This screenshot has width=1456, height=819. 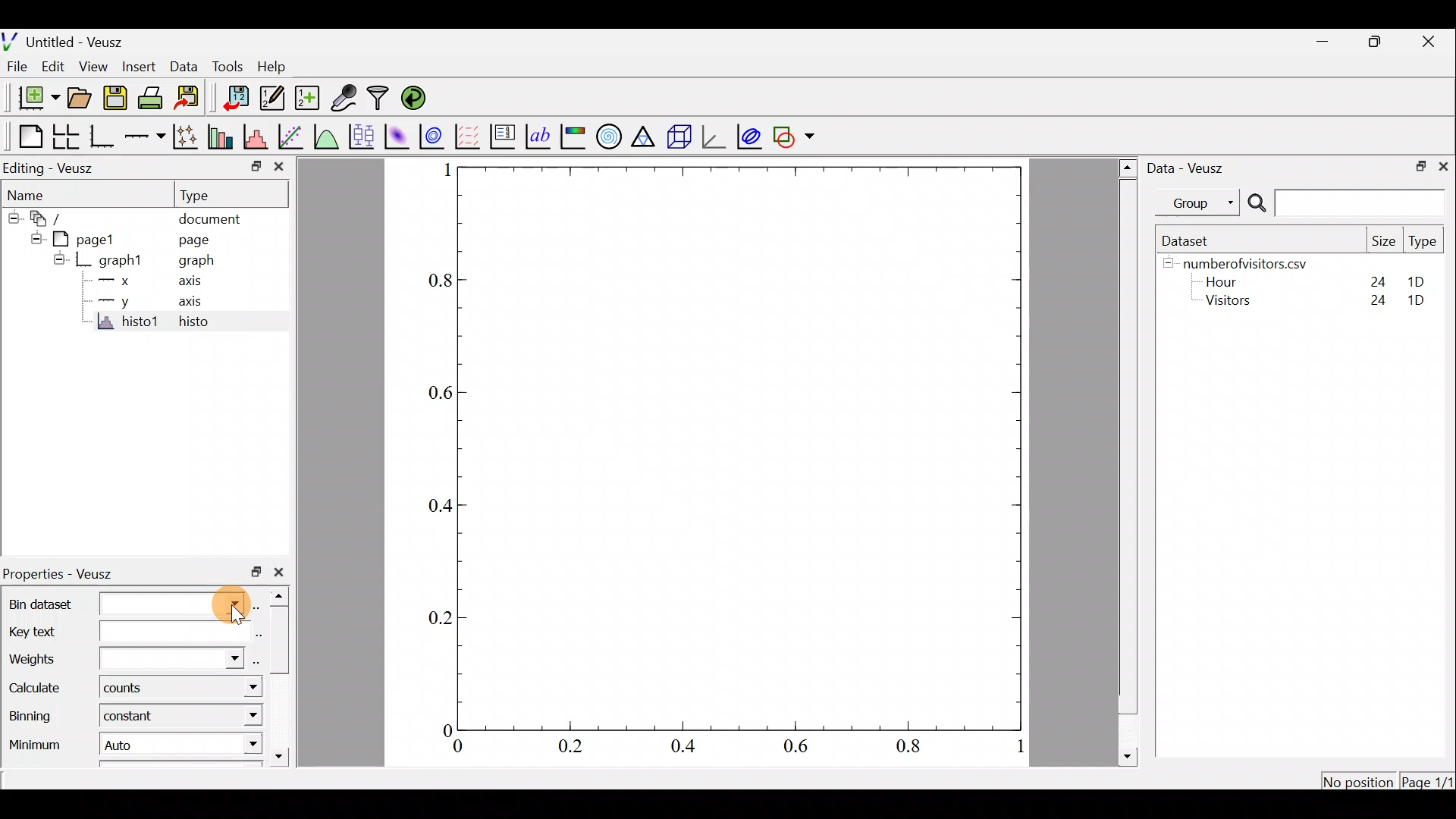 I want to click on 3d scene, so click(x=677, y=140).